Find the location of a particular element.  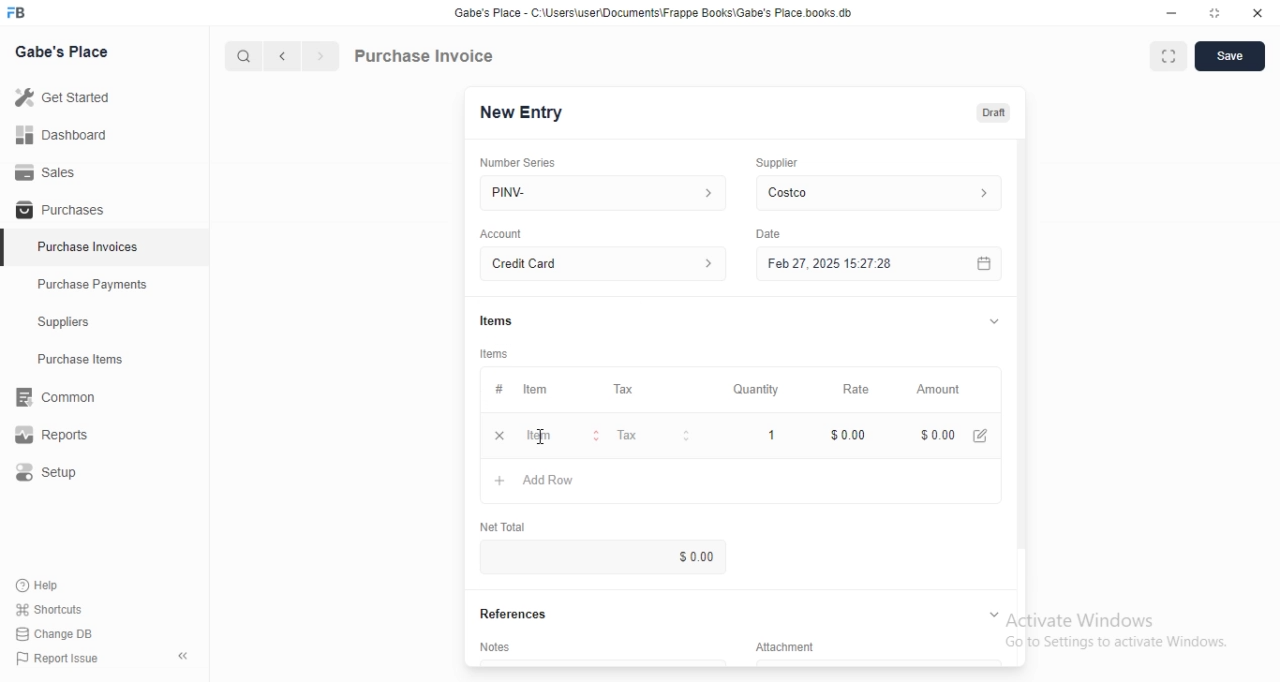

Rate is located at coordinates (841, 389).